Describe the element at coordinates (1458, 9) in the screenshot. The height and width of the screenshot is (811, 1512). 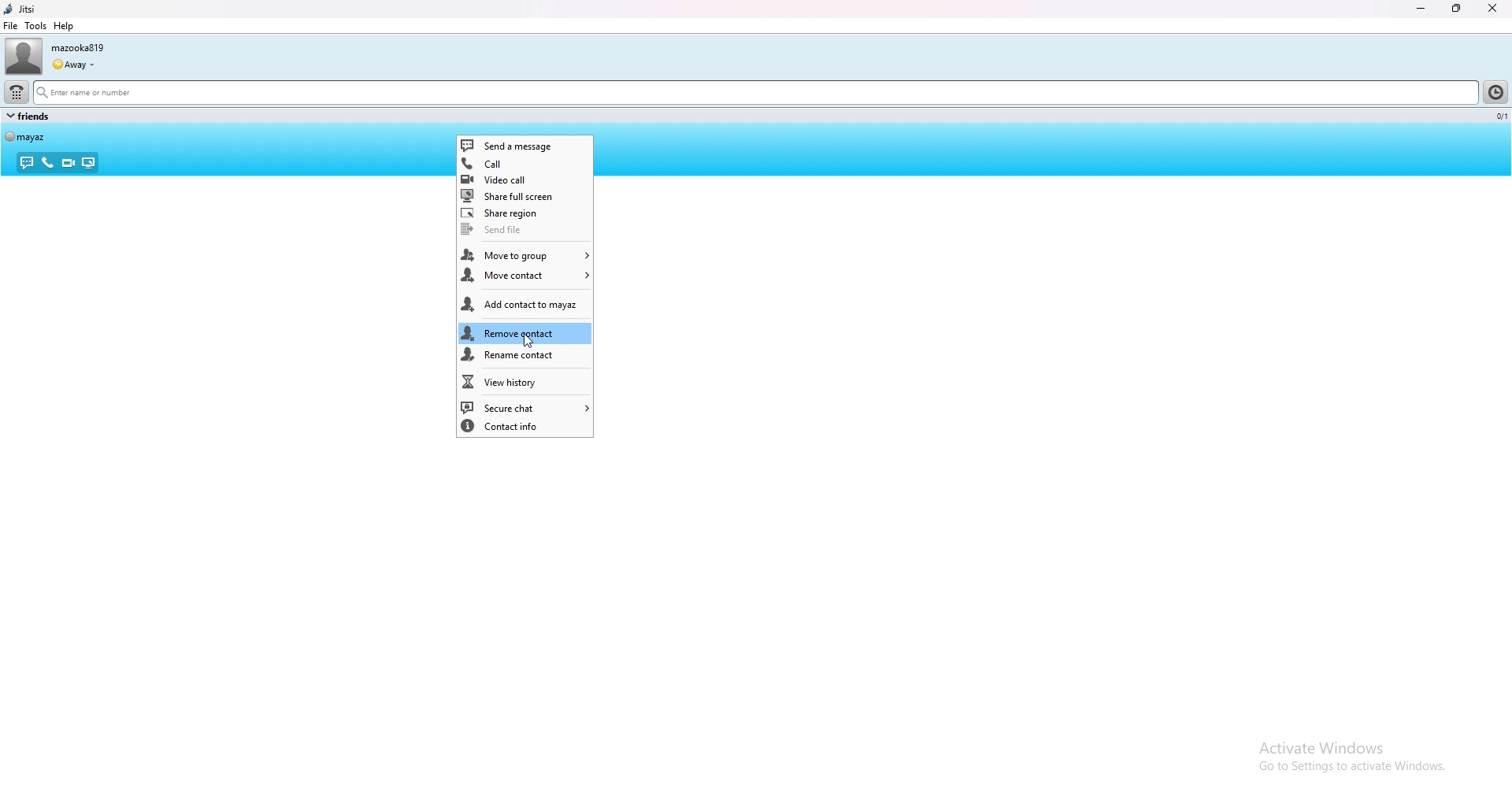
I see `resize` at that location.